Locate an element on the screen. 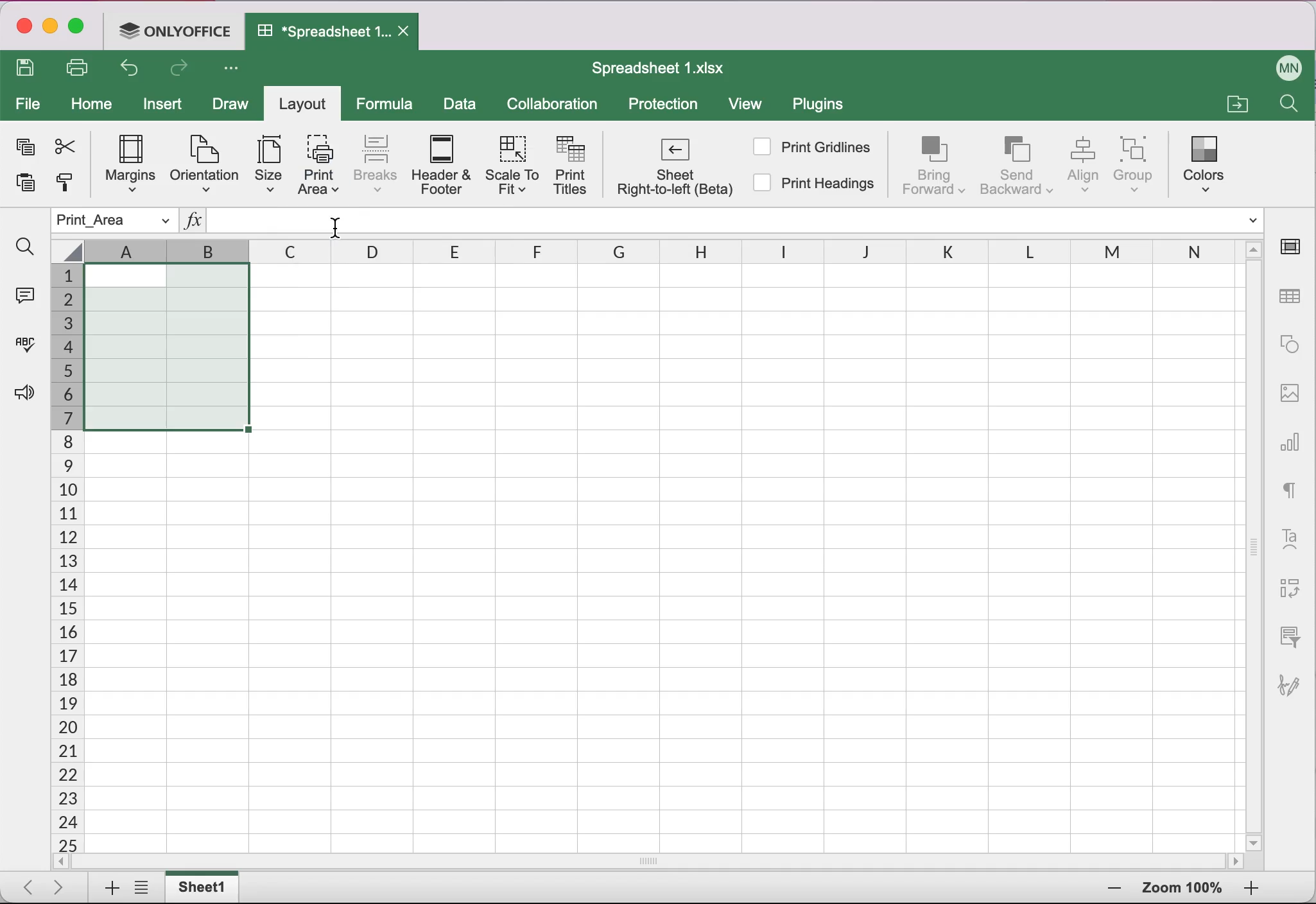 Image resolution: width=1316 pixels, height=904 pixels. Sheet right-to-left (Beta) is located at coordinates (673, 170).